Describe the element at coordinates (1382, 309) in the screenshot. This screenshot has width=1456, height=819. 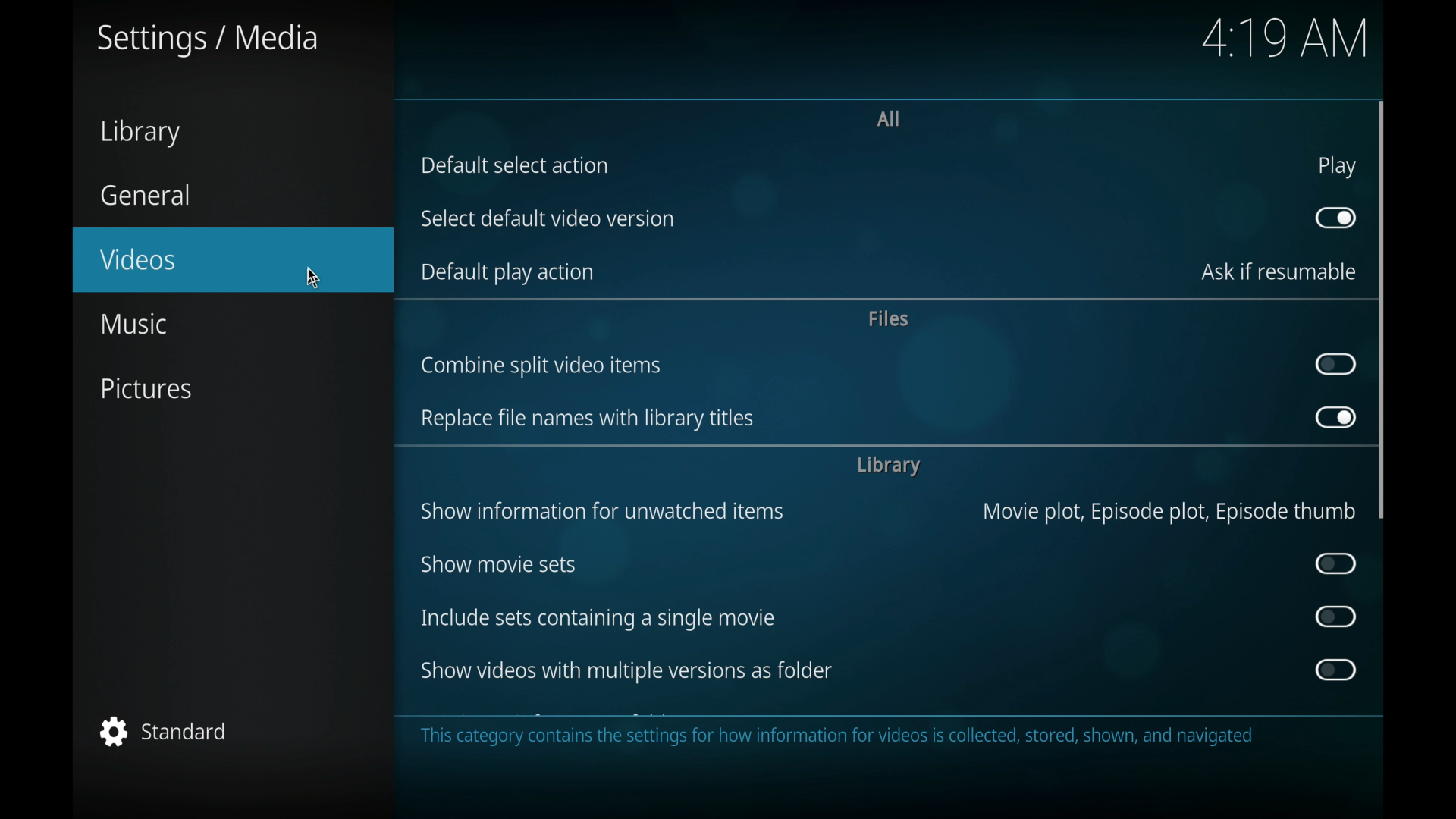
I see `scroll box` at that location.